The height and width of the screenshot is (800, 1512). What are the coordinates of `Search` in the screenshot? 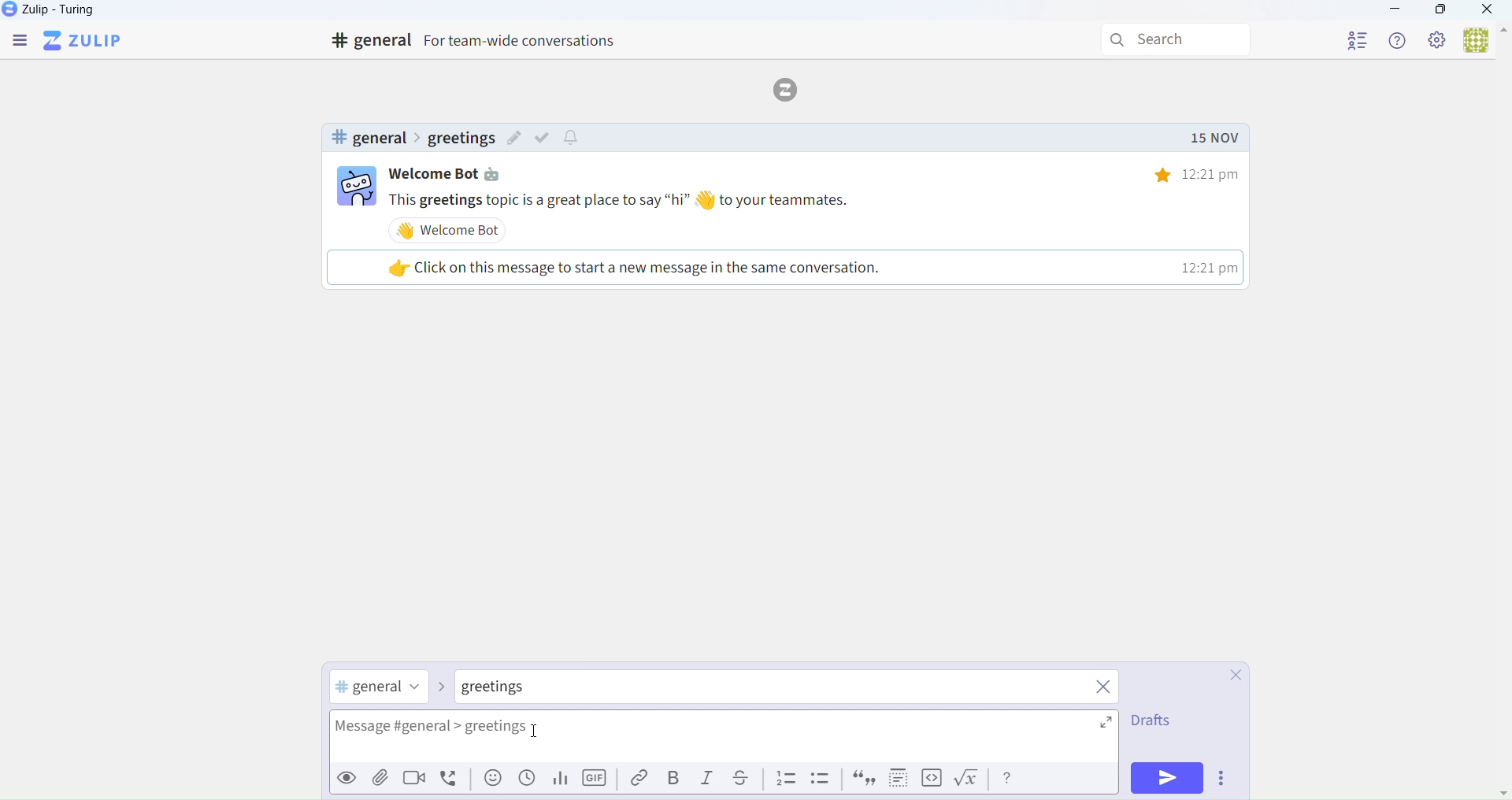 It's located at (1179, 40).